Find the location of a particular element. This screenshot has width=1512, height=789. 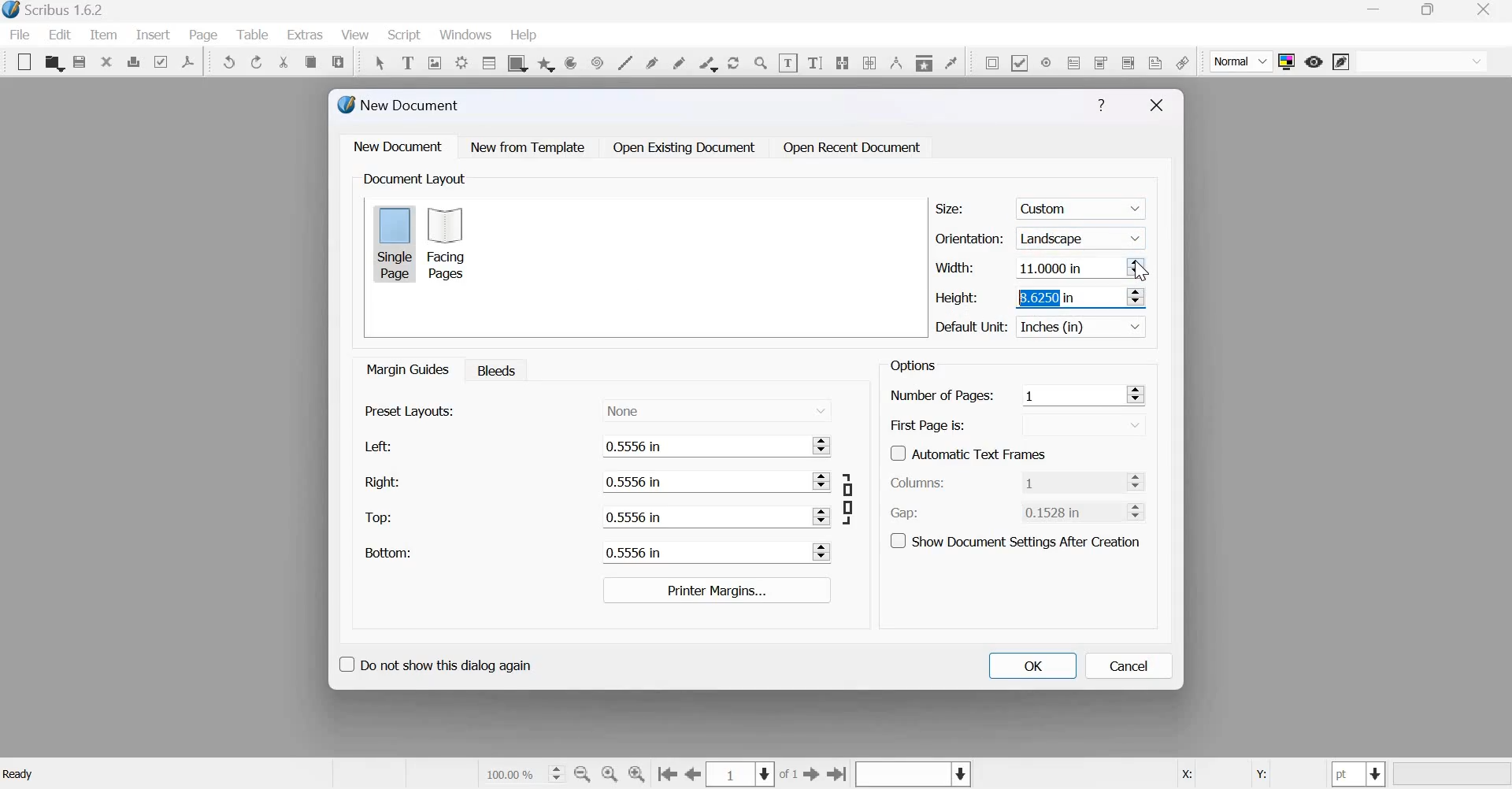

Columns: is located at coordinates (918, 483).